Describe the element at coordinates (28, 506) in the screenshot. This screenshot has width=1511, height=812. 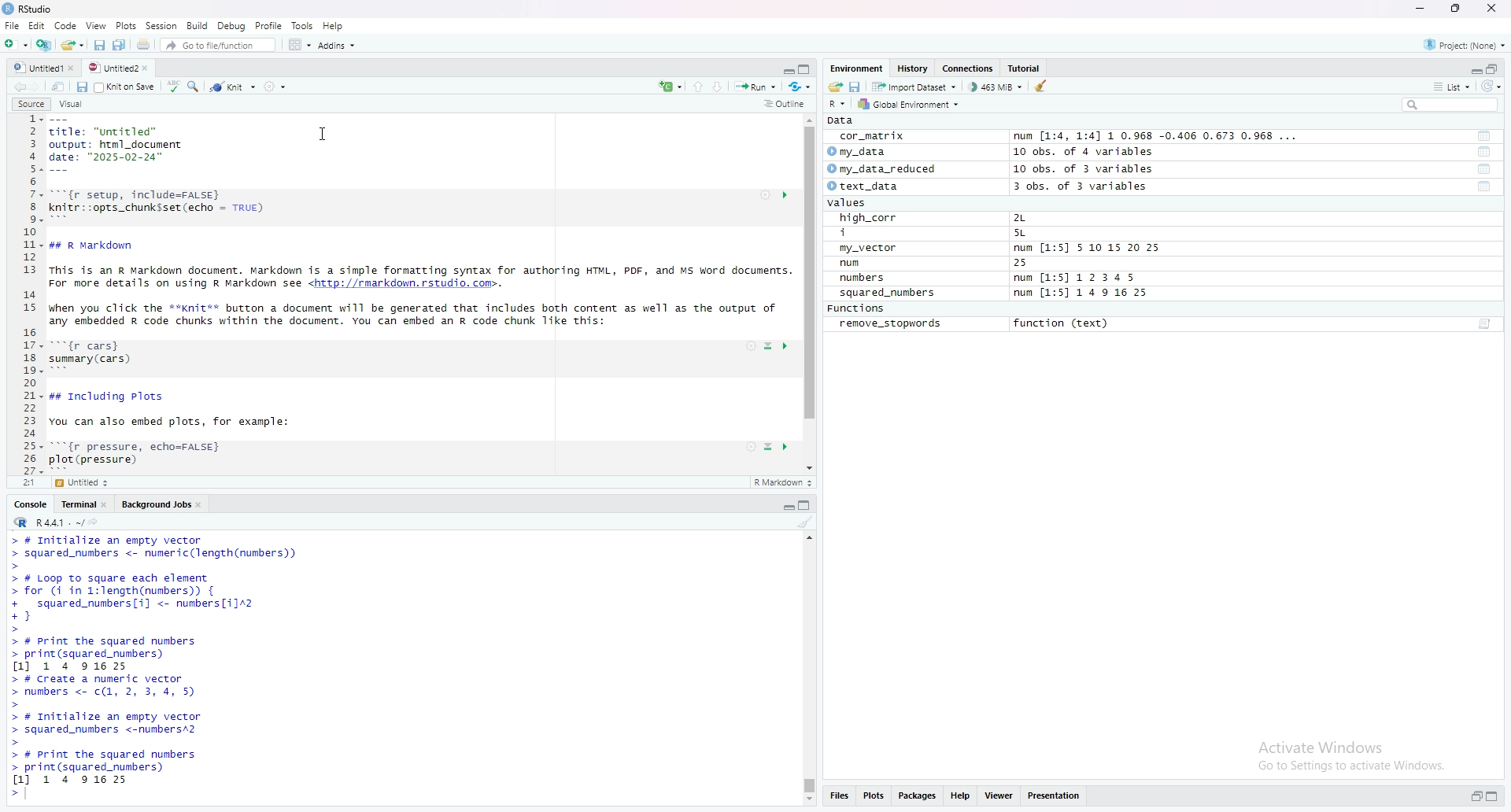
I see `console` at that location.